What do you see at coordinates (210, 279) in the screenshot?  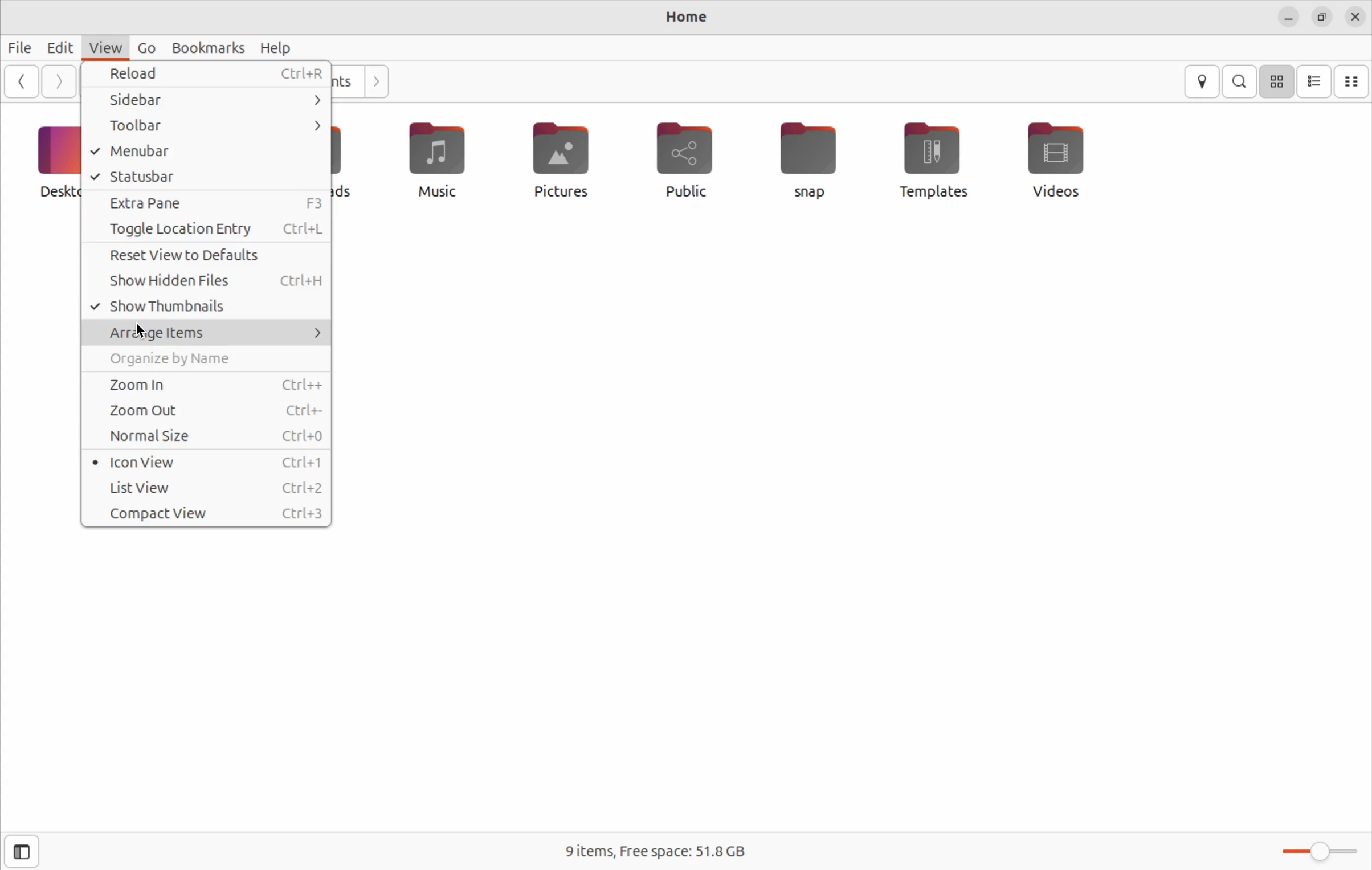 I see `show hidden files` at bounding box center [210, 279].